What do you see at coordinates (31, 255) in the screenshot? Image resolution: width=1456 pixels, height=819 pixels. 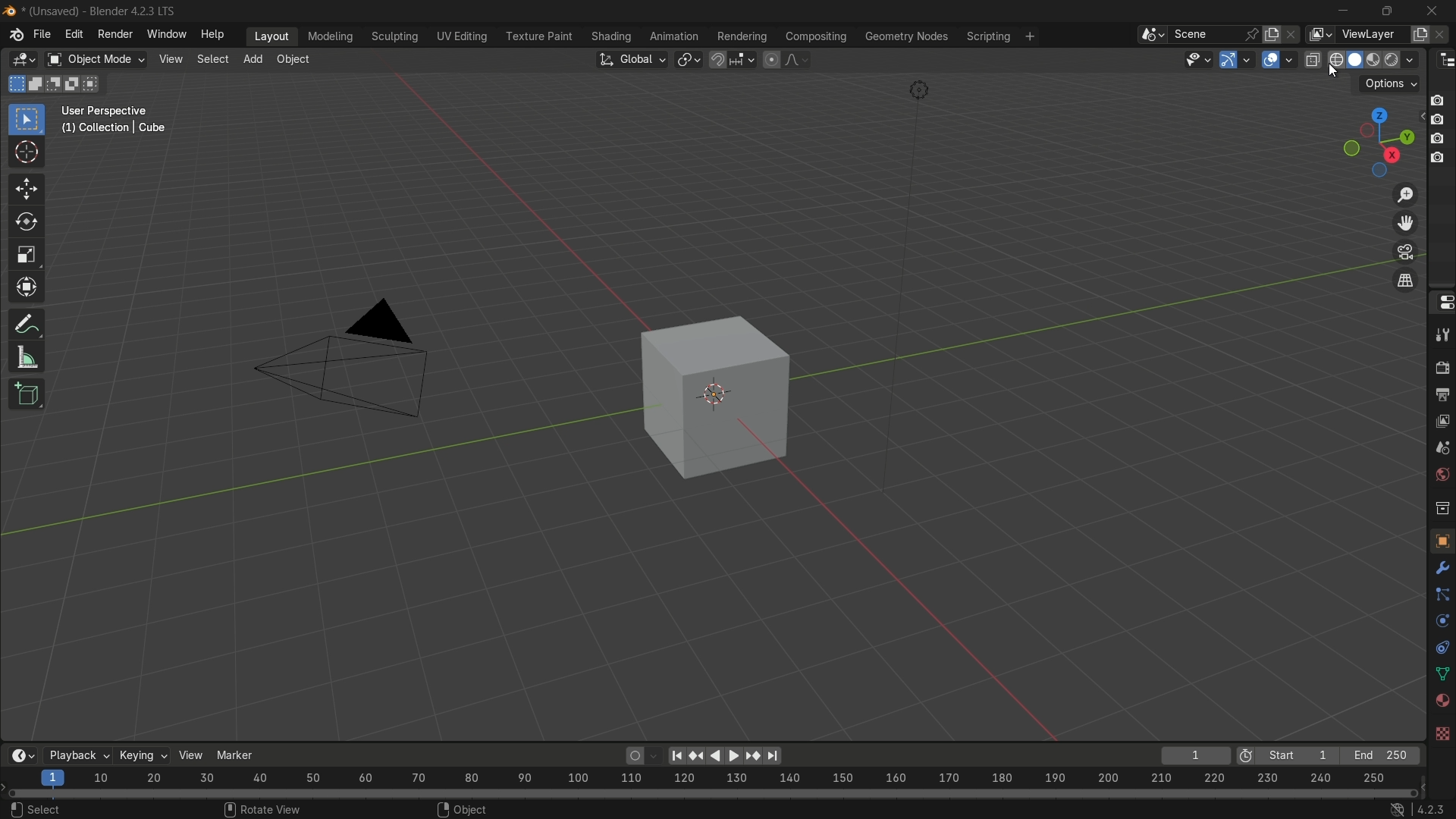 I see `scale` at bounding box center [31, 255].